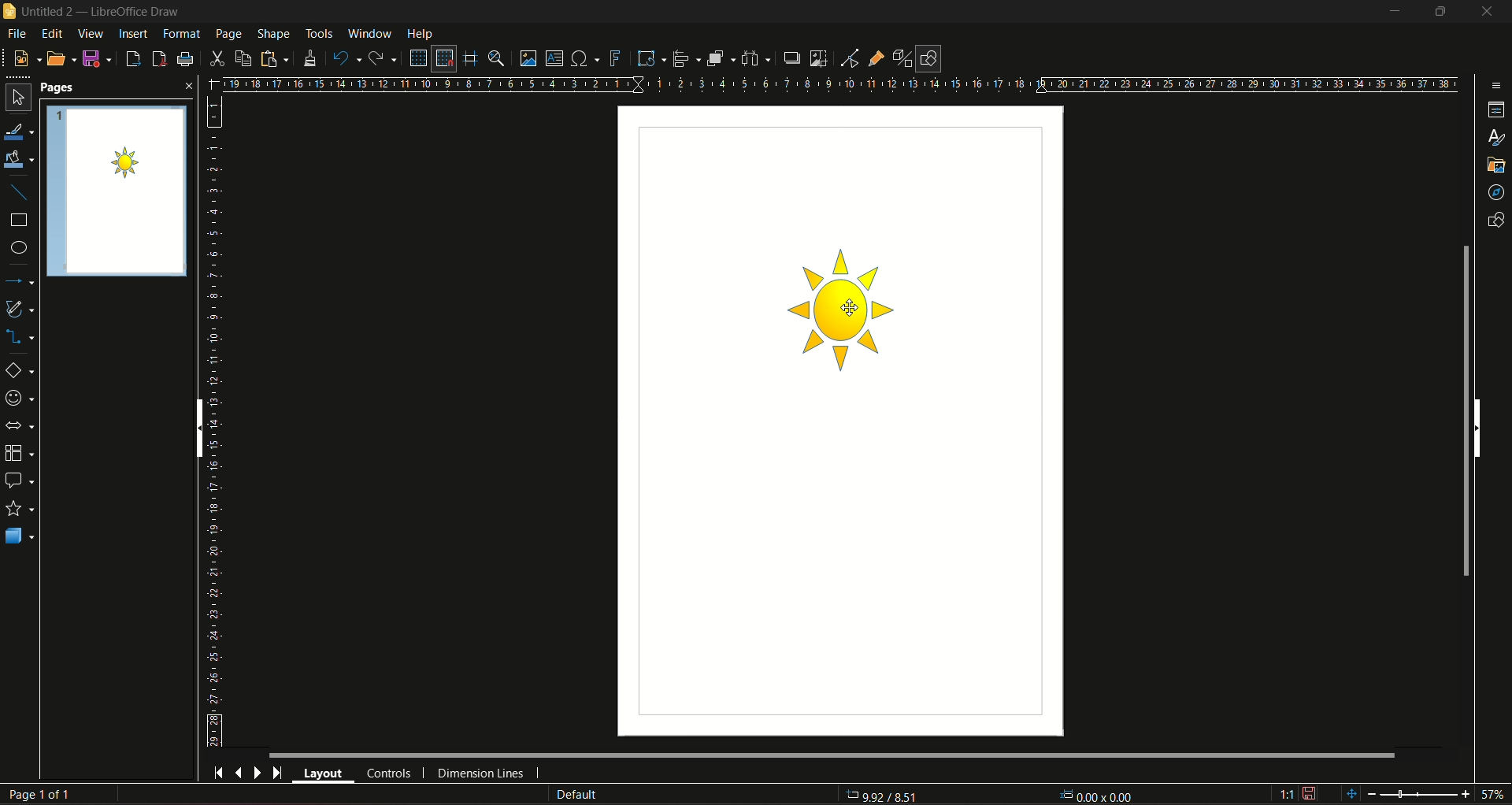  What do you see at coordinates (187, 86) in the screenshot?
I see `close` at bounding box center [187, 86].